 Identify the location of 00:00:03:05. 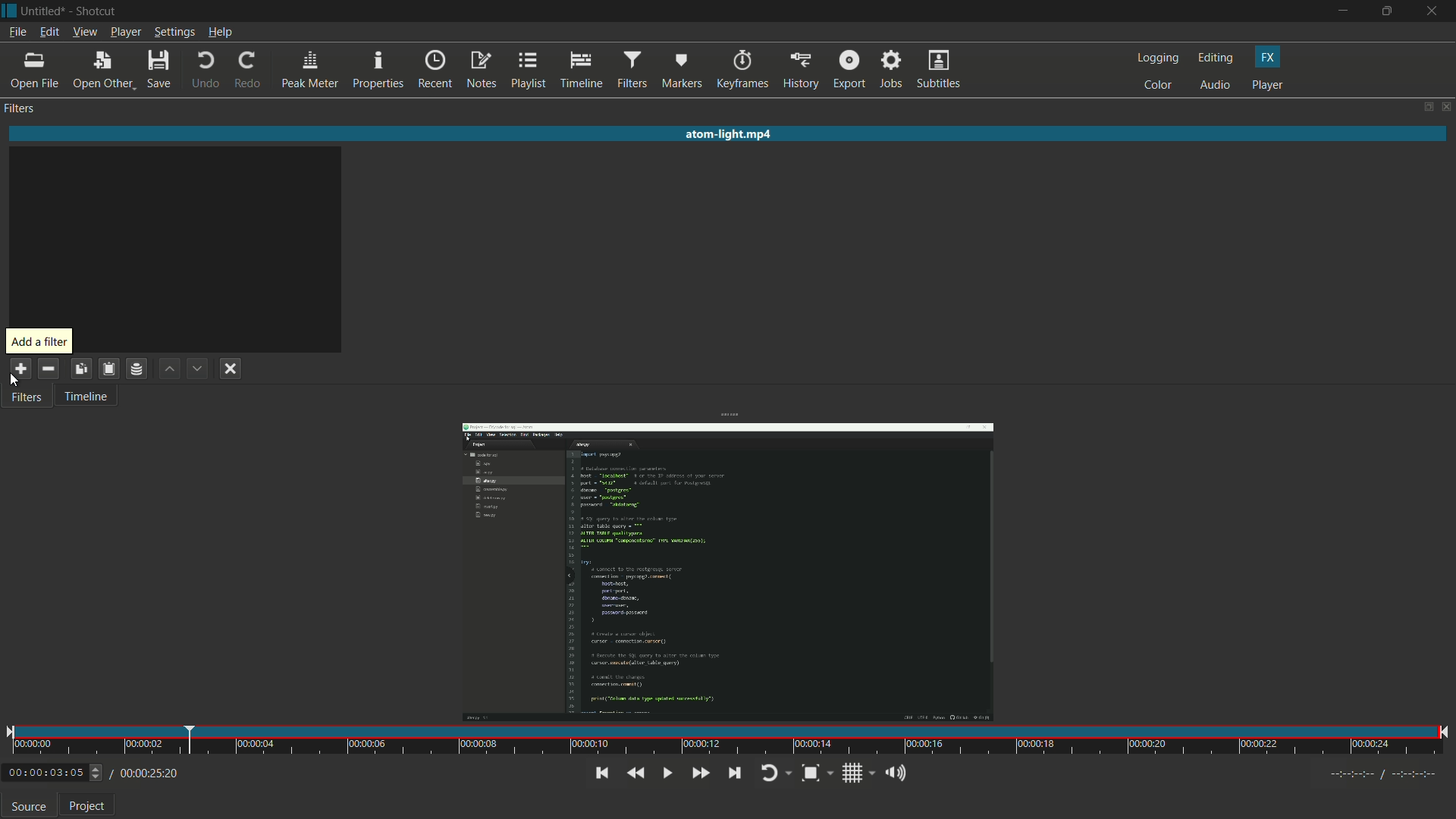
(54, 771).